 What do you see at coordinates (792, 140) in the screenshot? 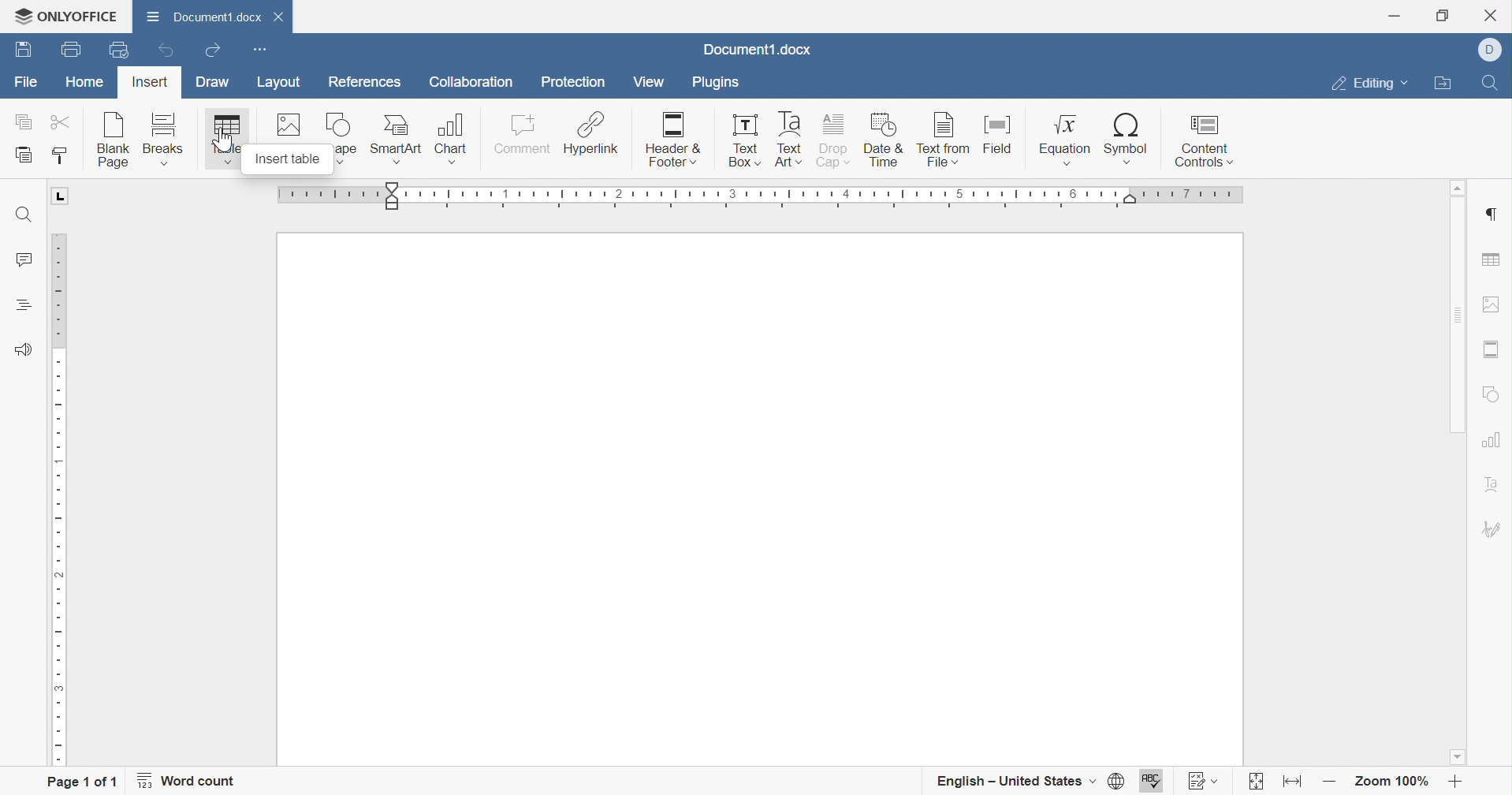
I see `Text art` at bounding box center [792, 140].